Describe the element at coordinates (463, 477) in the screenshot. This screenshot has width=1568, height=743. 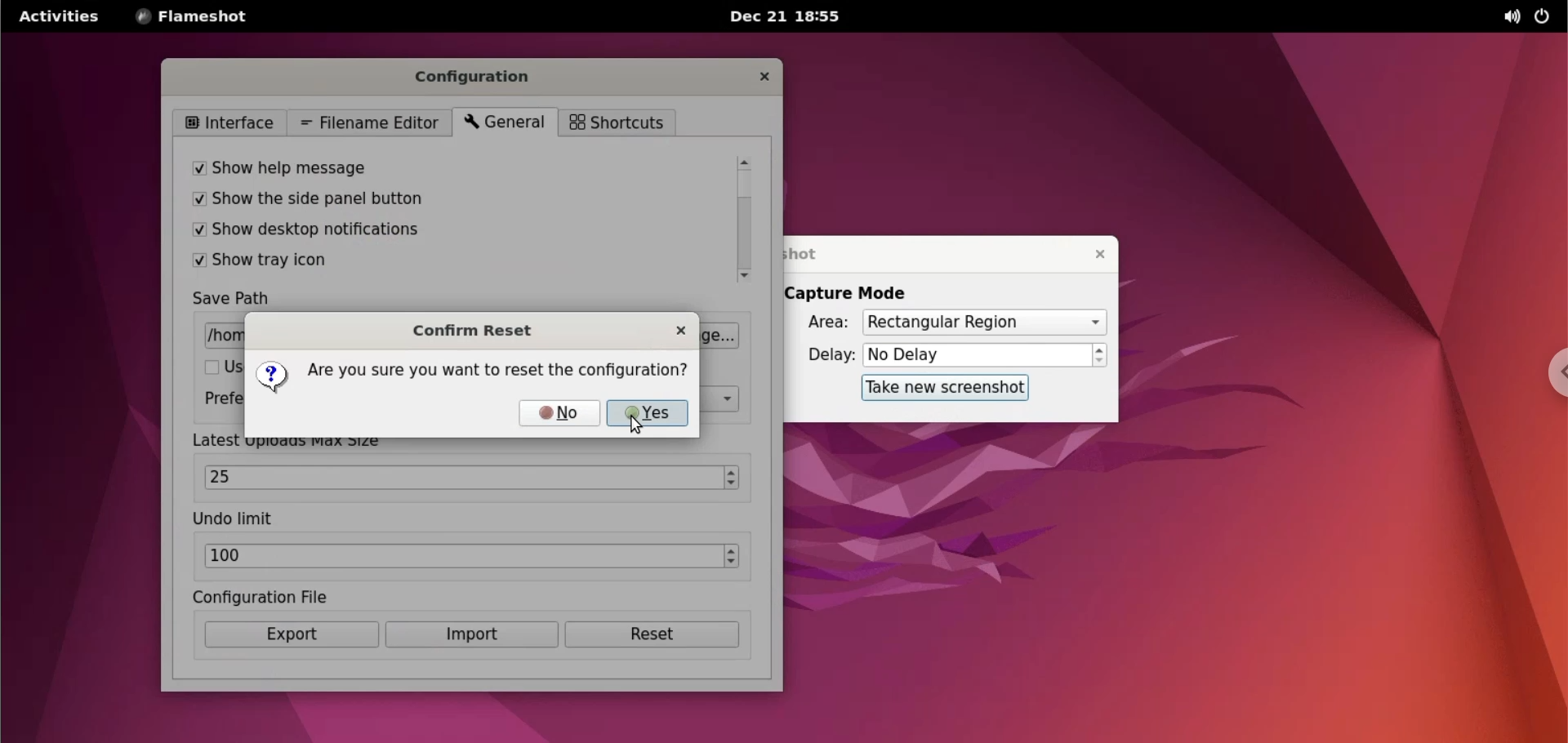
I see `25` at that location.